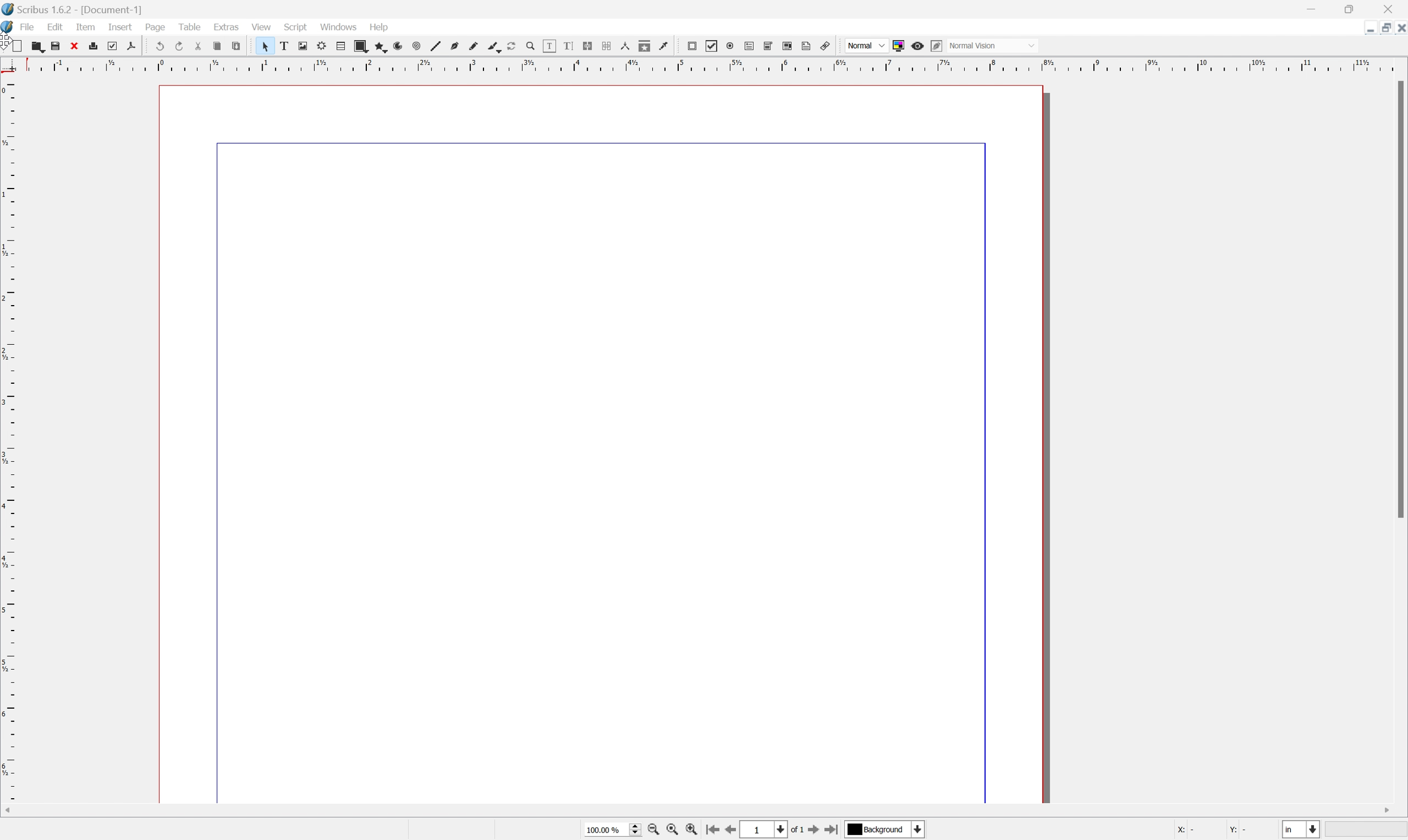 This screenshot has width=1408, height=840. Describe the element at coordinates (303, 46) in the screenshot. I see `image frame` at that location.